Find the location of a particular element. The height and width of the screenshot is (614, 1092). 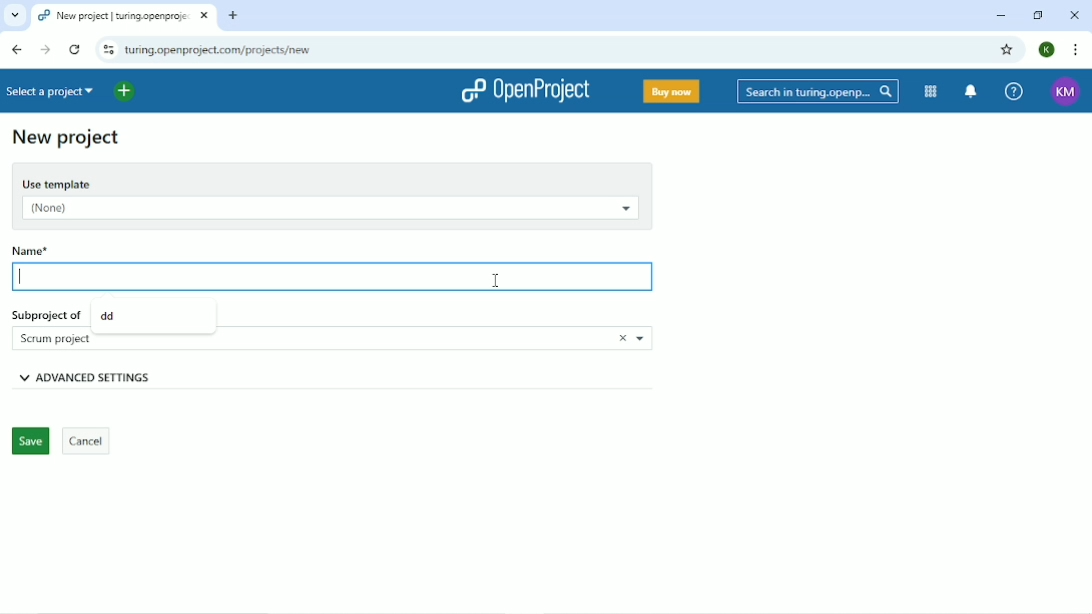

dd is located at coordinates (109, 315).